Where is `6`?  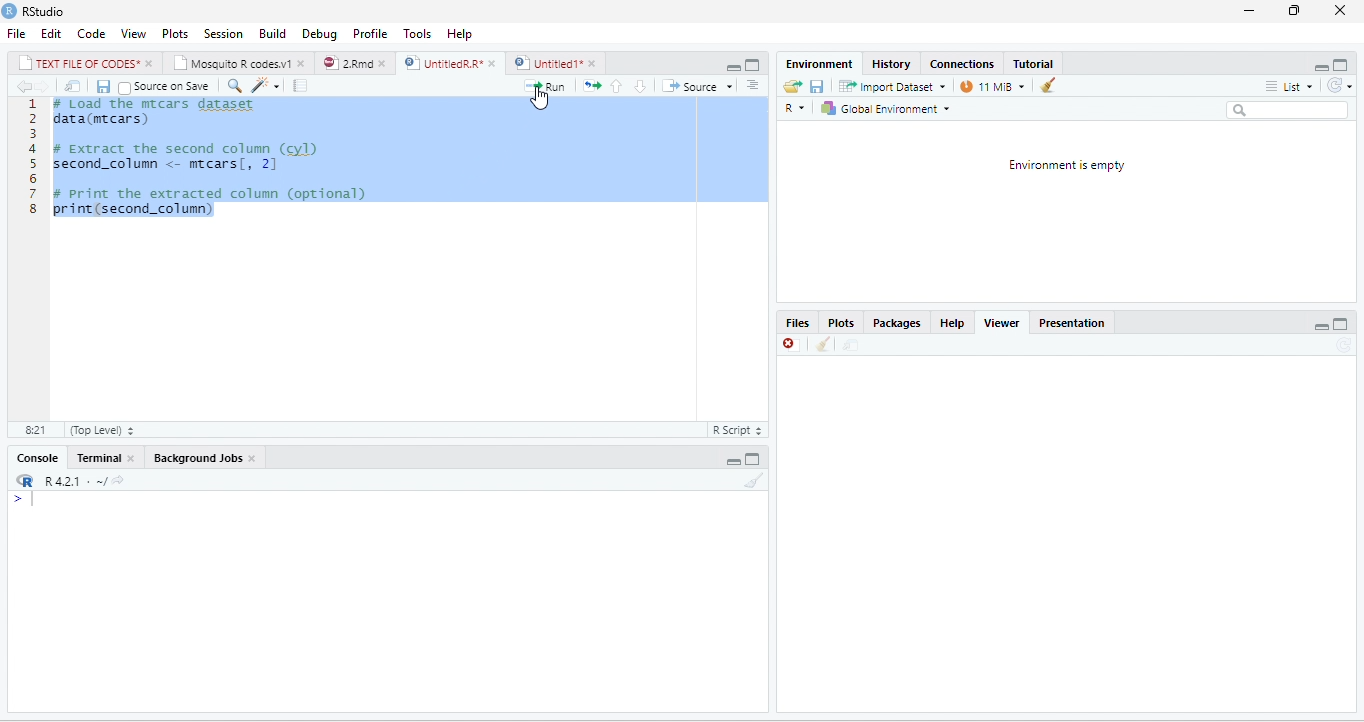 6 is located at coordinates (33, 178).